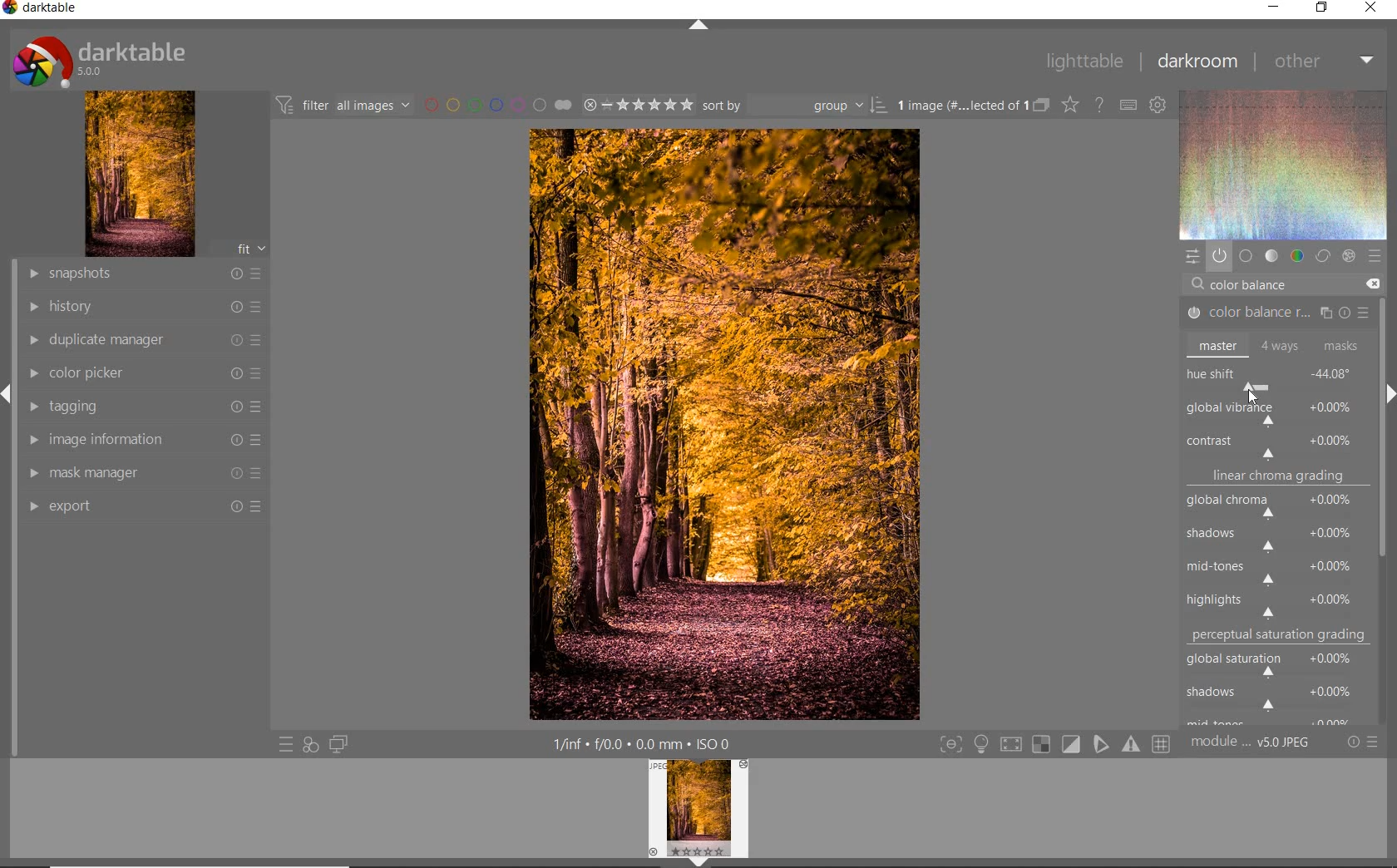 Image resolution: width=1397 pixels, height=868 pixels. What do you see at coordinates (1275, 6) in the screenshot?
I see `minimize` at bounding box center [1275, 6].